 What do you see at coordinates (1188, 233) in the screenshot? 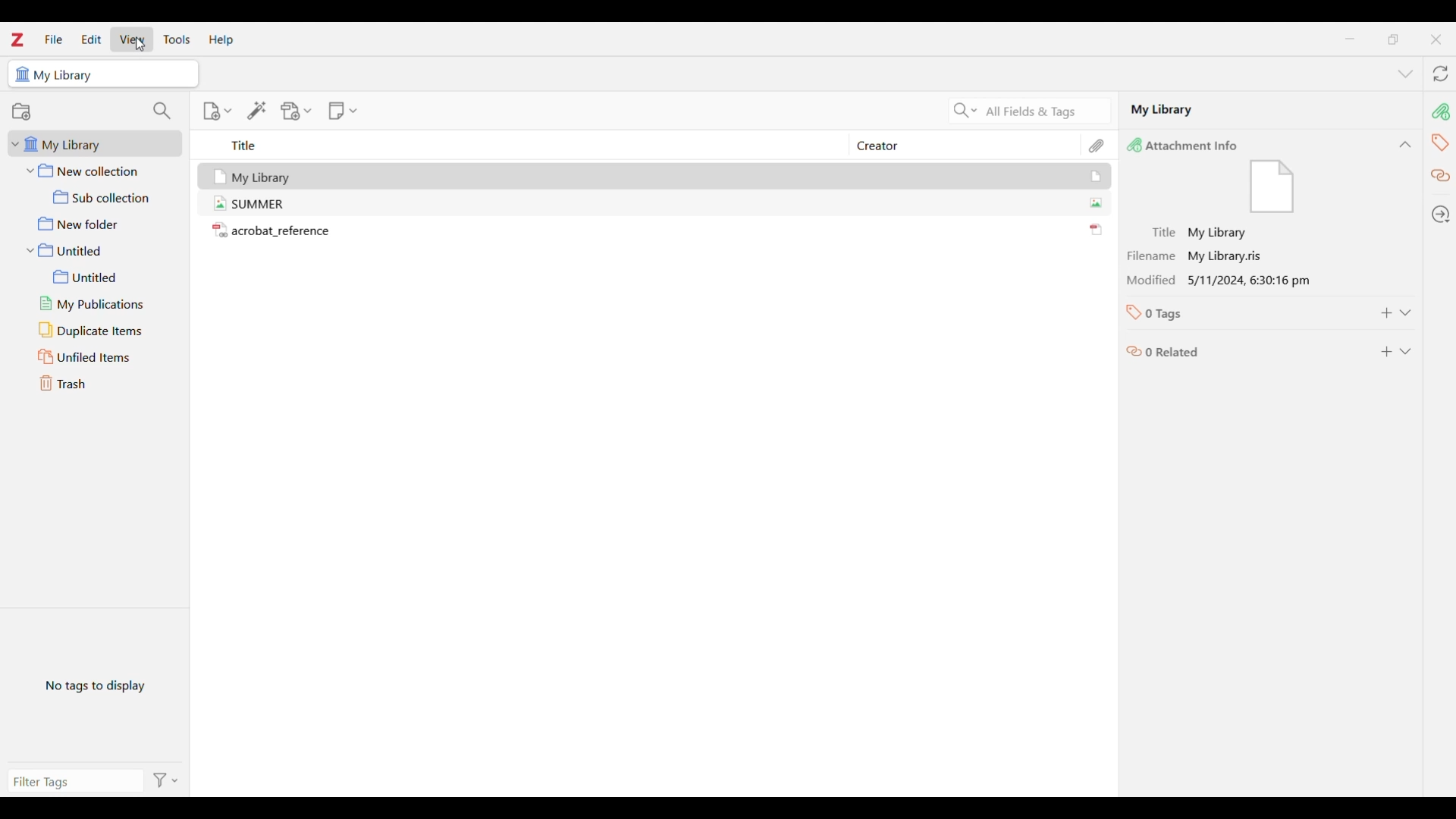
I see `Title of selected file` at bounding box center [1188, 233].